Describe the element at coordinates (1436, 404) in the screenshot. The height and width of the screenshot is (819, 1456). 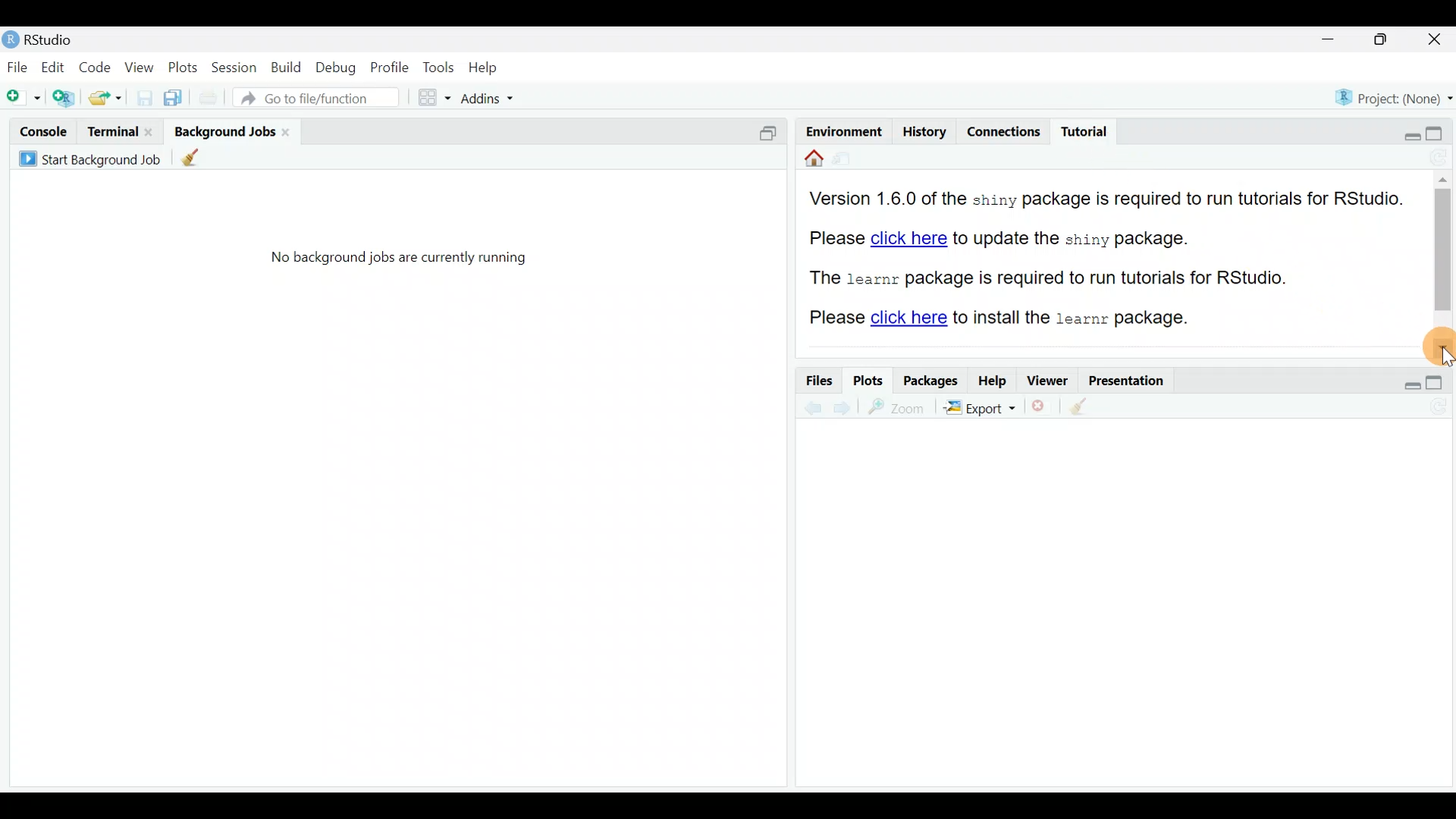
I see `Refresh current plot` at that location.